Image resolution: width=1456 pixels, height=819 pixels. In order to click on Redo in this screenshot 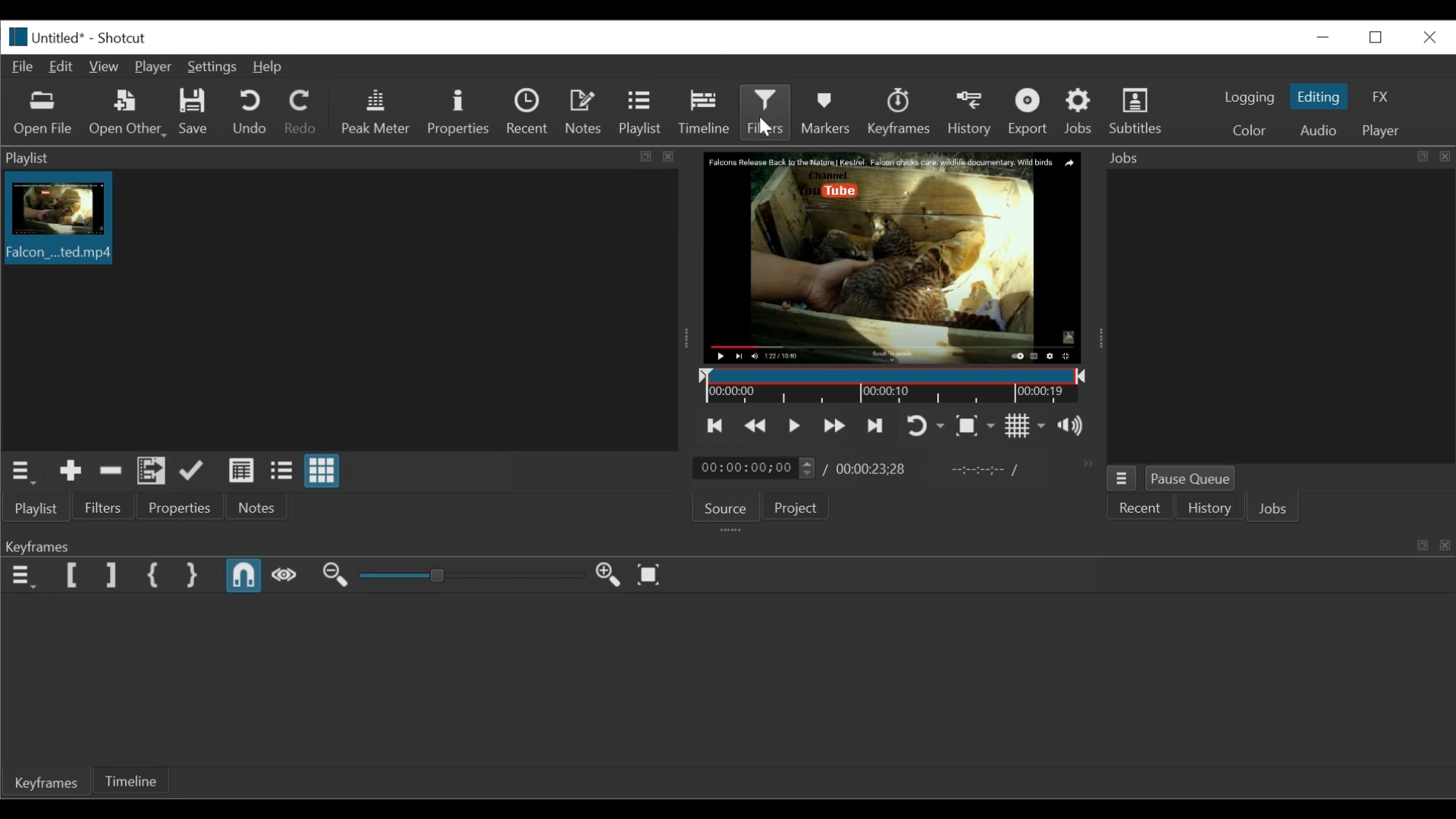, I will do `click(304, 113)`.